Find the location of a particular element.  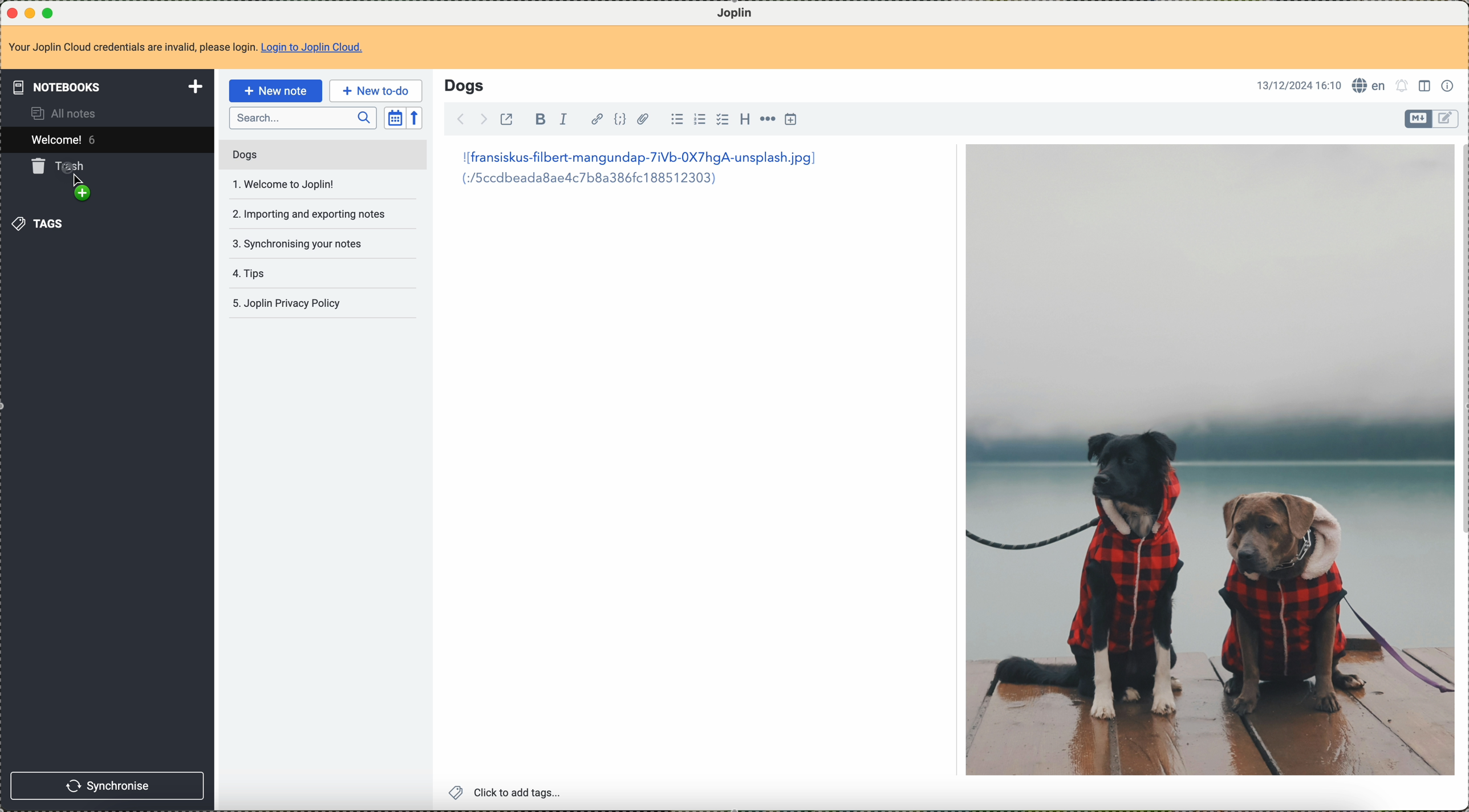

notebooks is located at coordinates (107, 85).